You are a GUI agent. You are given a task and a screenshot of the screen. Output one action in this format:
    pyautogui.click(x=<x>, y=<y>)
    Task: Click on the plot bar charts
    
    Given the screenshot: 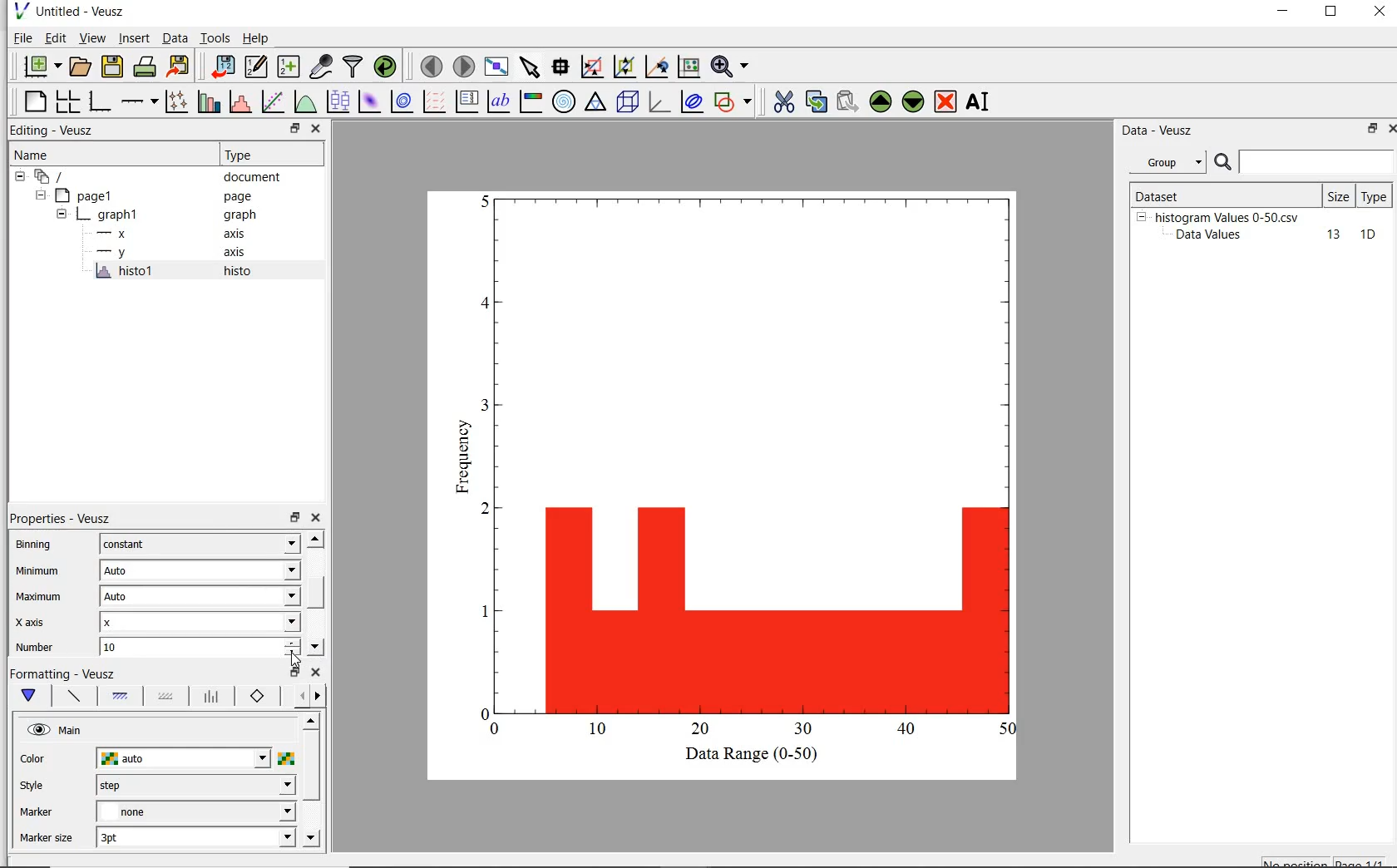 What is the action you would take?
    pyautogui.click(x=209, y=101)
    